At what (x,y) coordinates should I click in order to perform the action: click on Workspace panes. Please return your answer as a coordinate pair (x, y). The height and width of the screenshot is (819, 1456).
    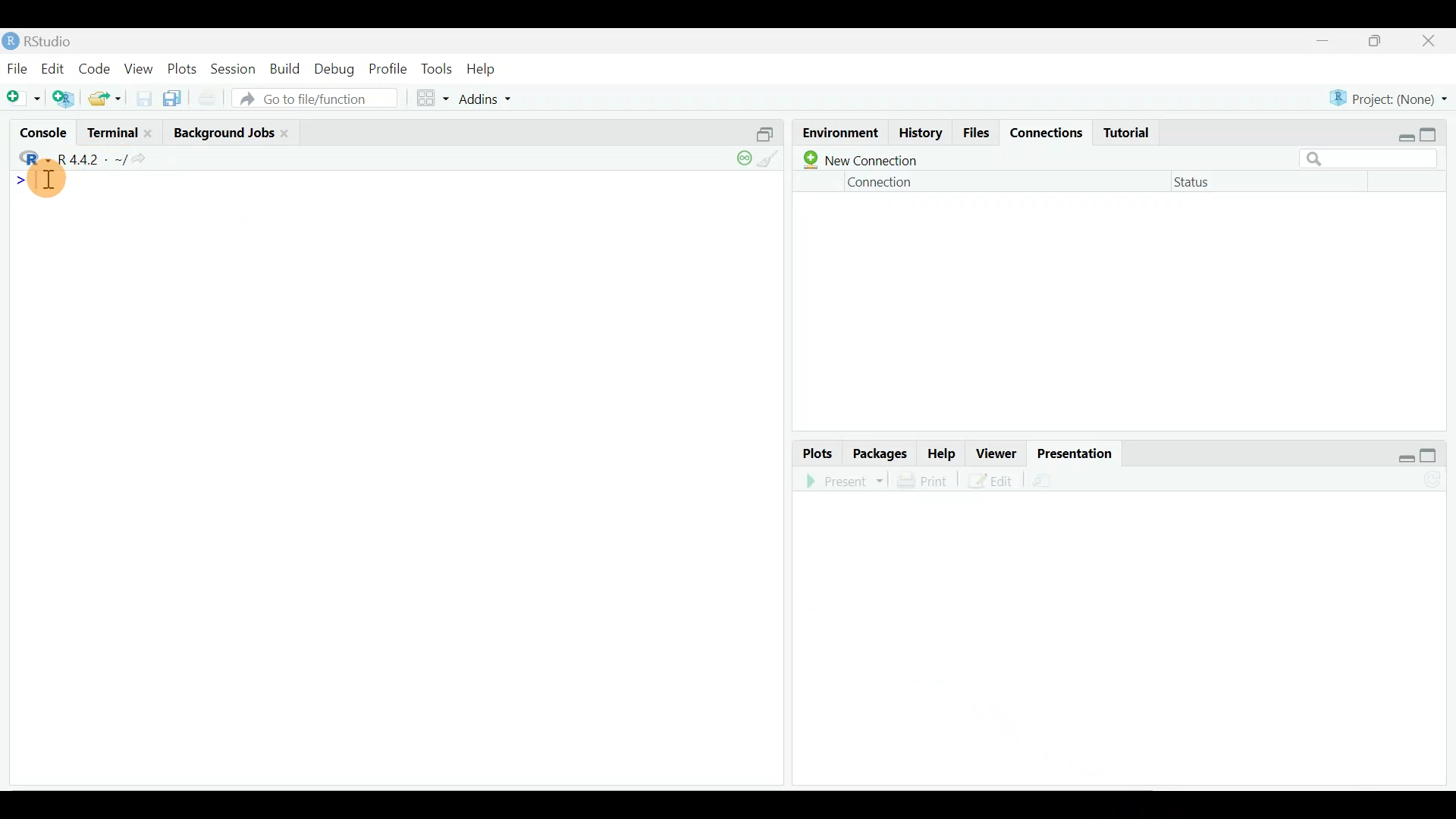
    Looking at the image, I should click on (432, 97).